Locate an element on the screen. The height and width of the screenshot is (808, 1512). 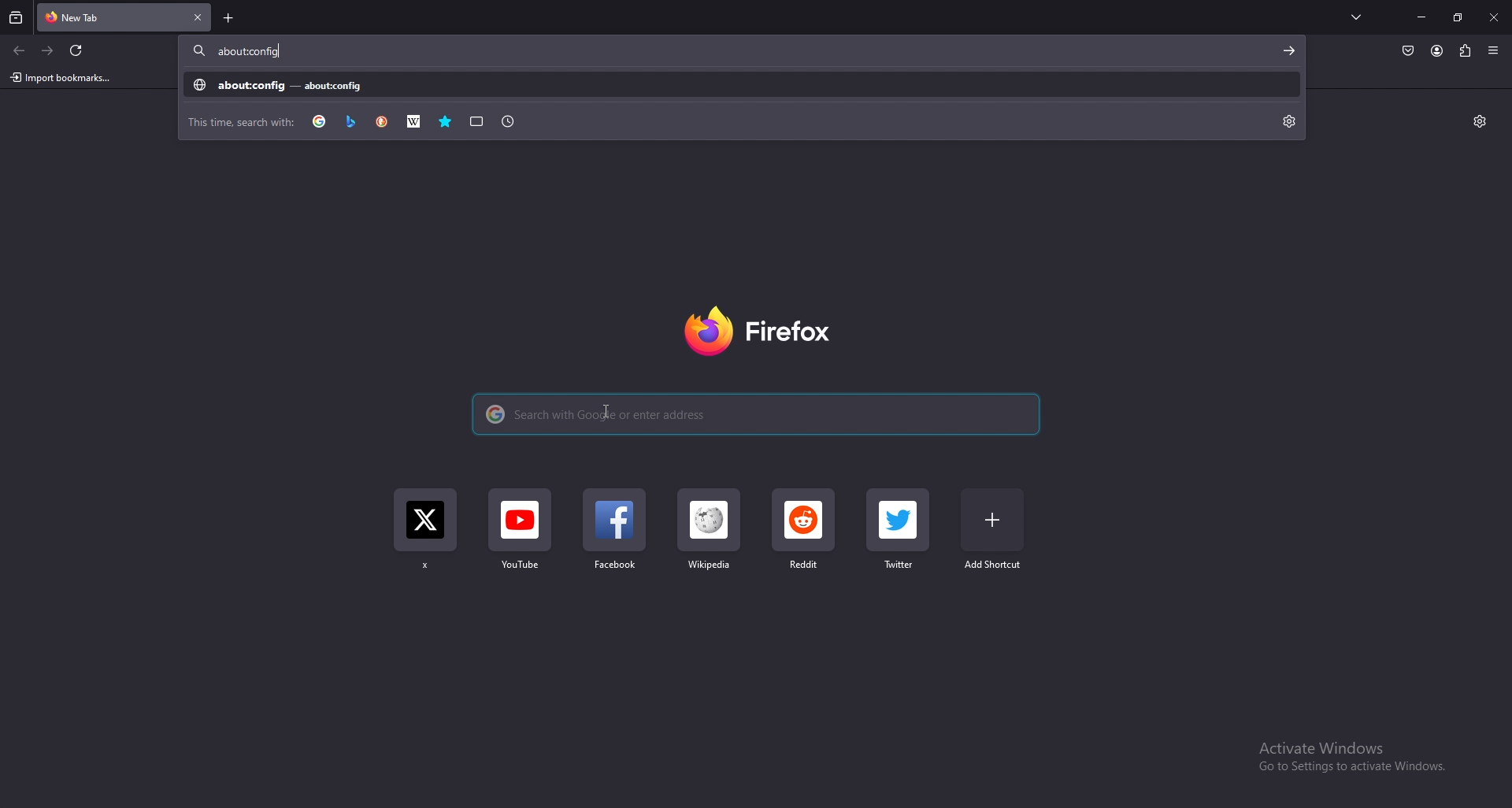
resize is located at coordinates (1458, 17).